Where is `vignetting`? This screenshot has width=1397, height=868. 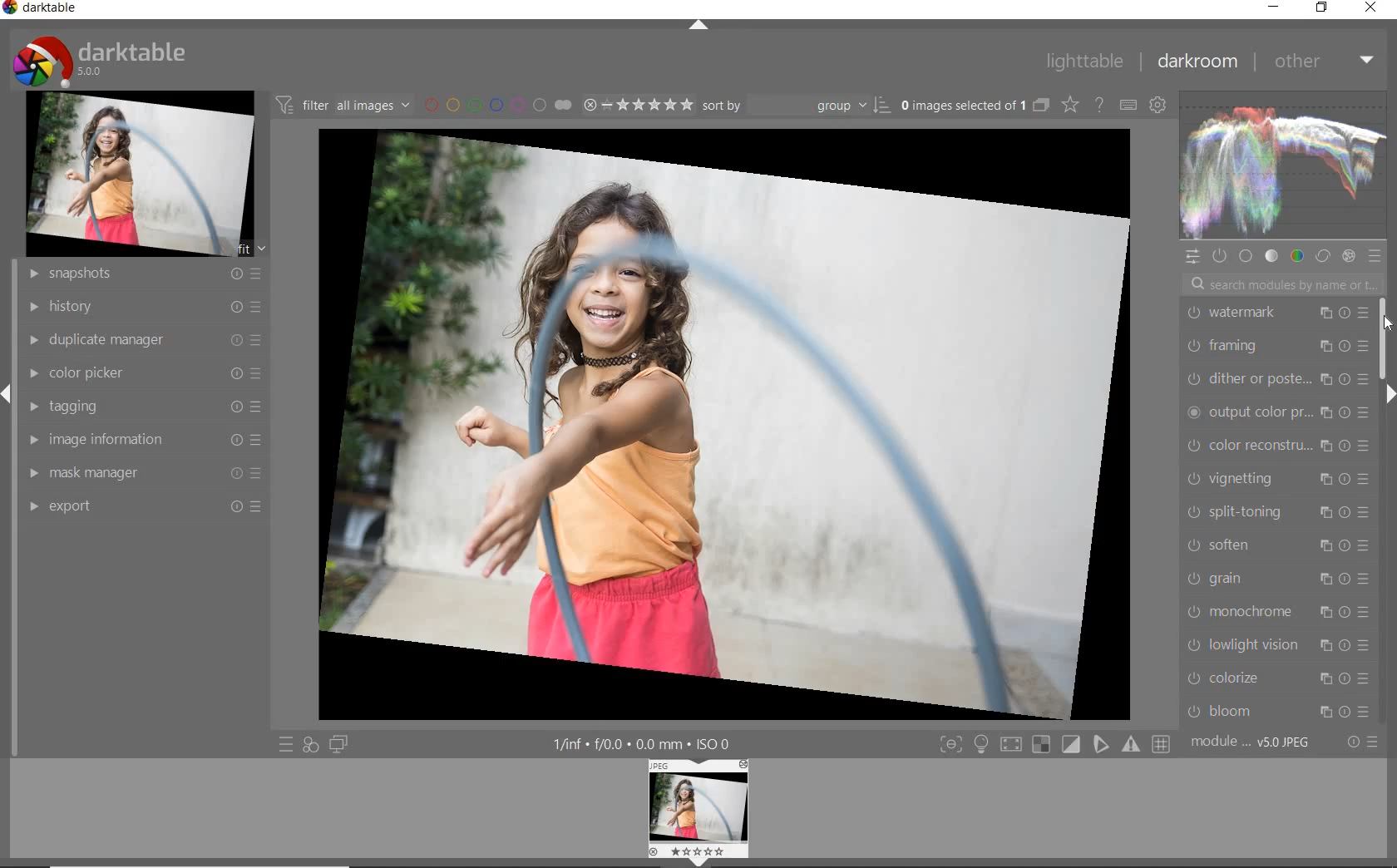
vignetting is located at coordinates (1281, 479).